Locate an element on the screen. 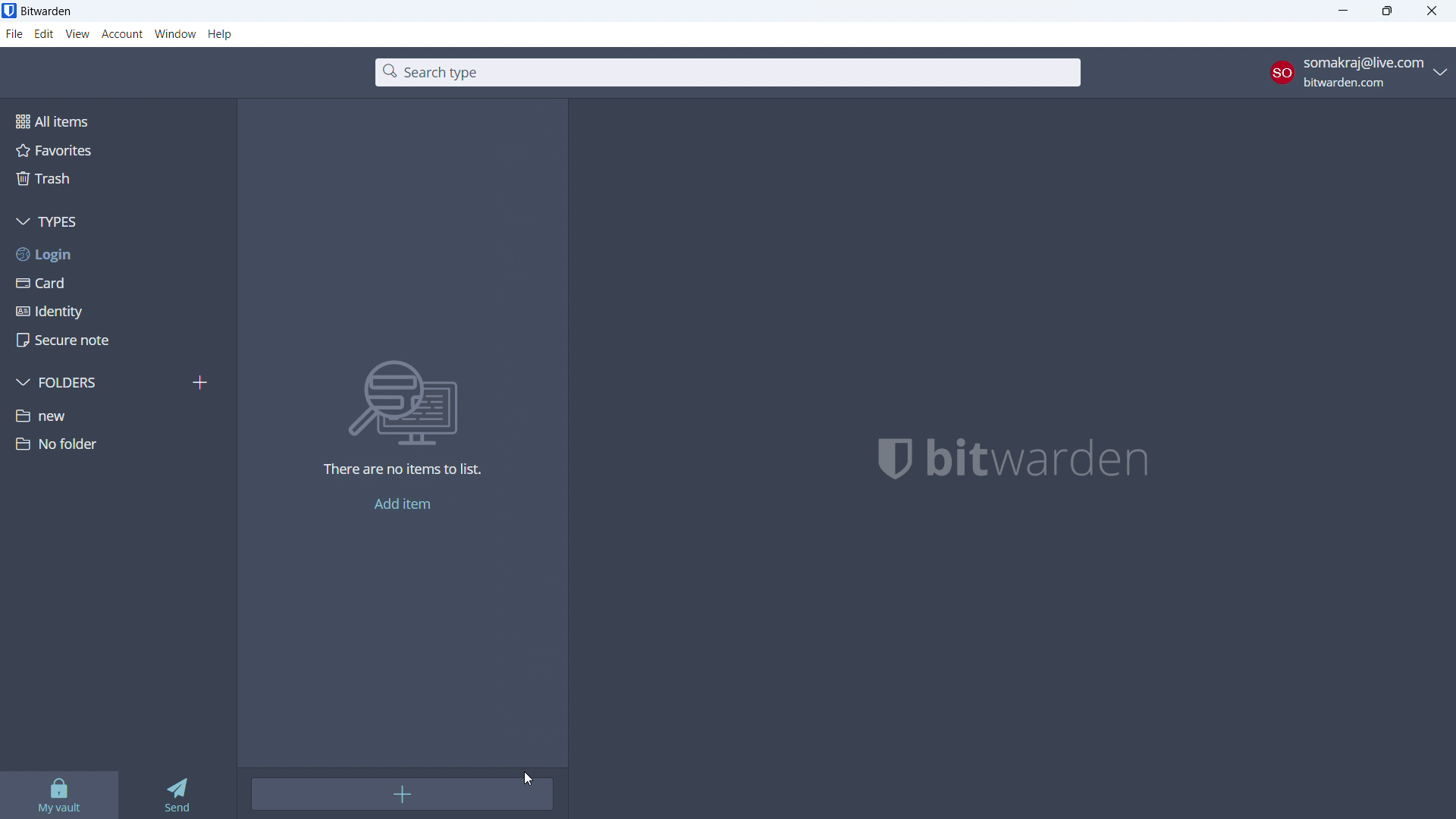  bitwarden  is located at coordinates (1059, 460).